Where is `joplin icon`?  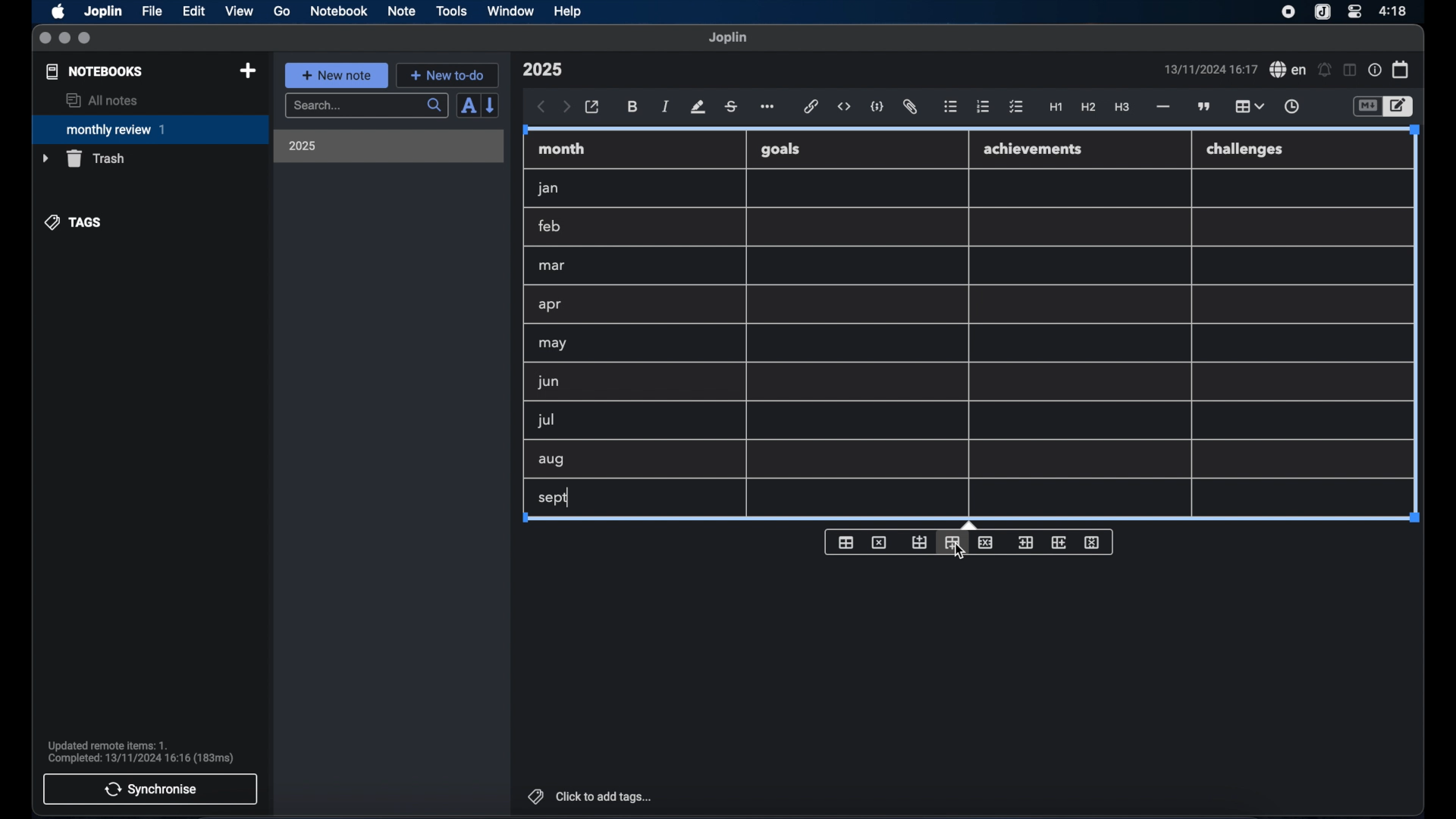
joplin icon is located at coordinates (1321, 13).